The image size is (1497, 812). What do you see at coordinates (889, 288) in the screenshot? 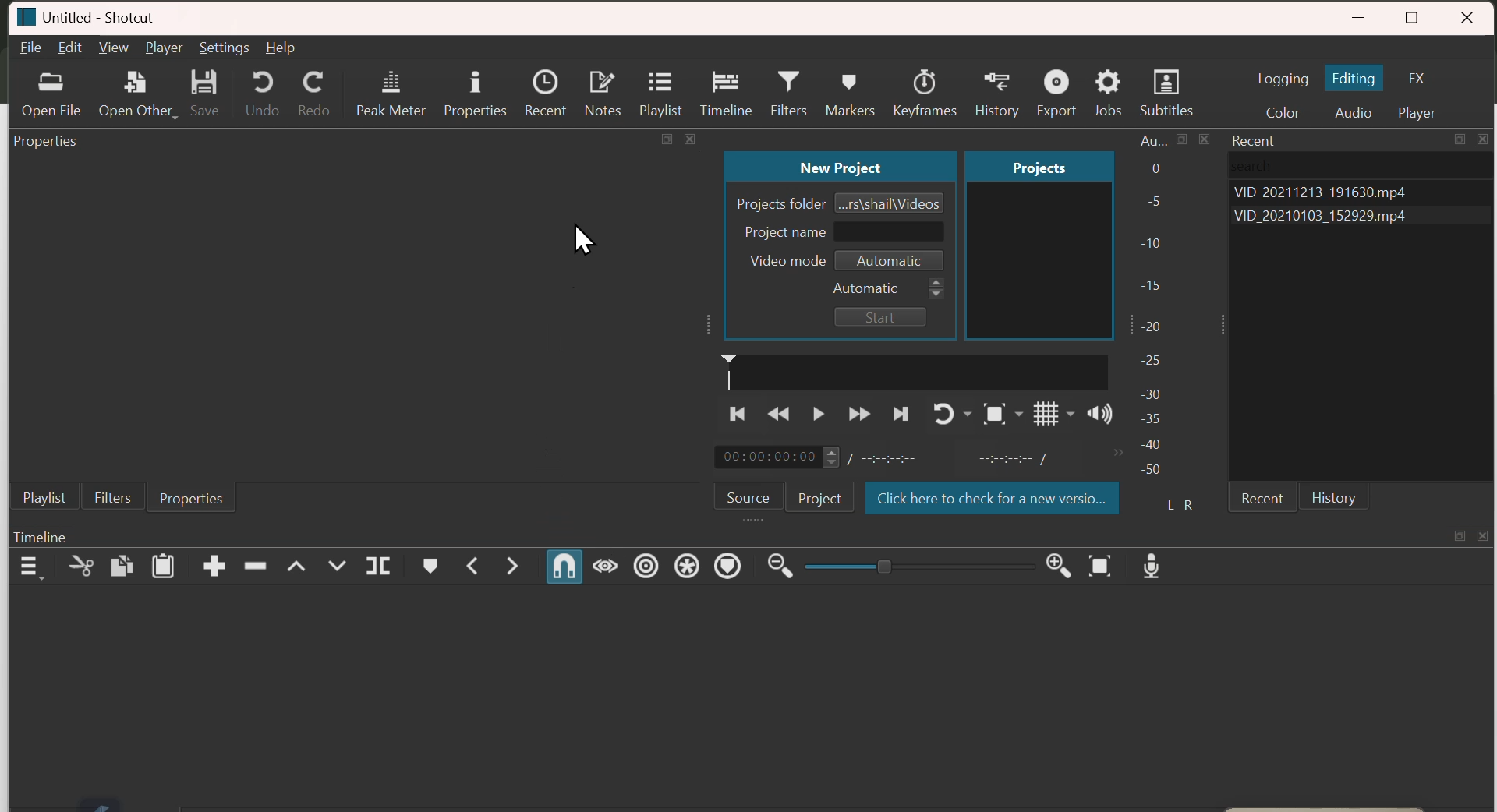
I see `Automatic` at bounding box center [889, 288].